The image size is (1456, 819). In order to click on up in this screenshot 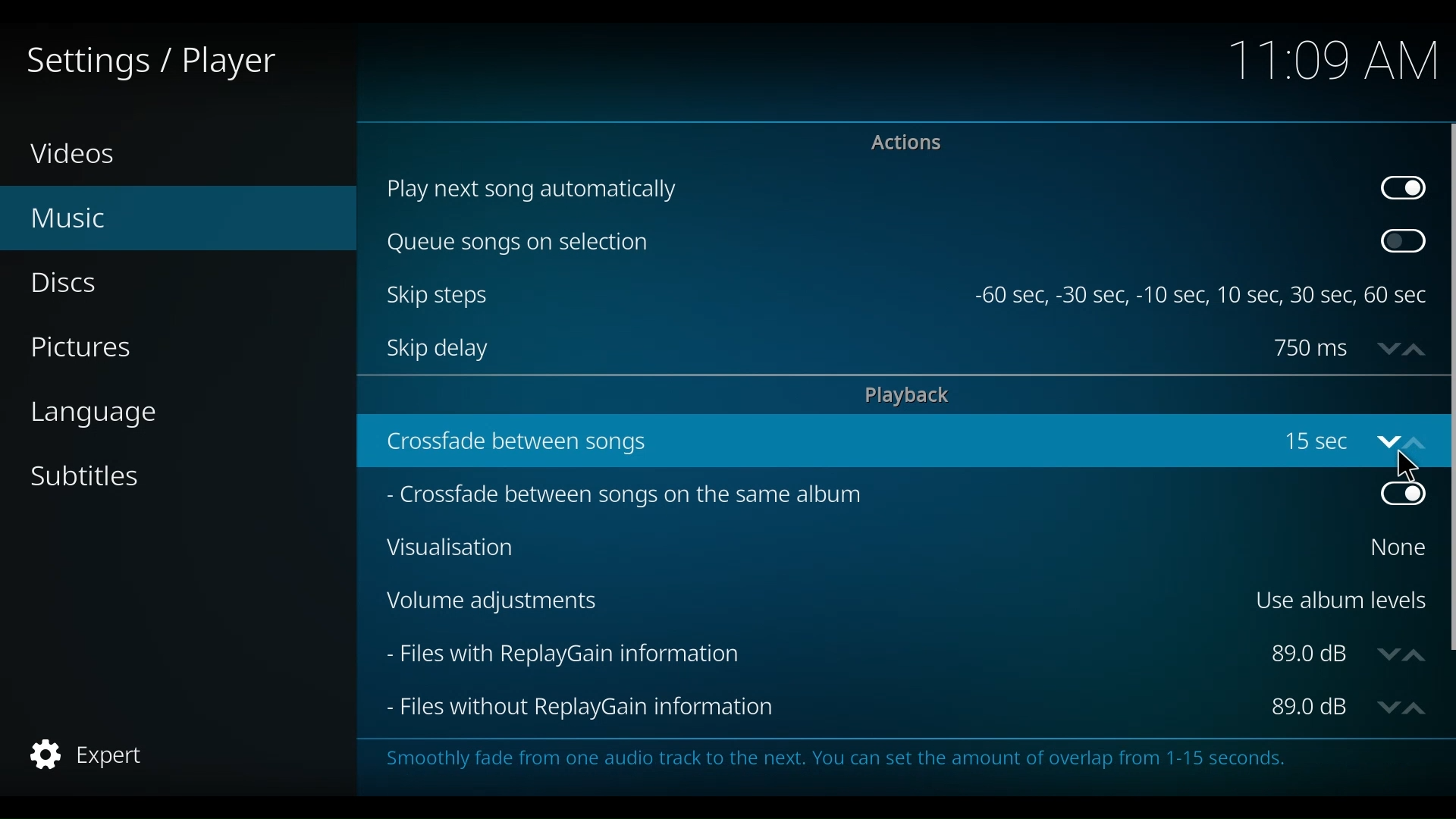, I will do `click(1419, 706)`.